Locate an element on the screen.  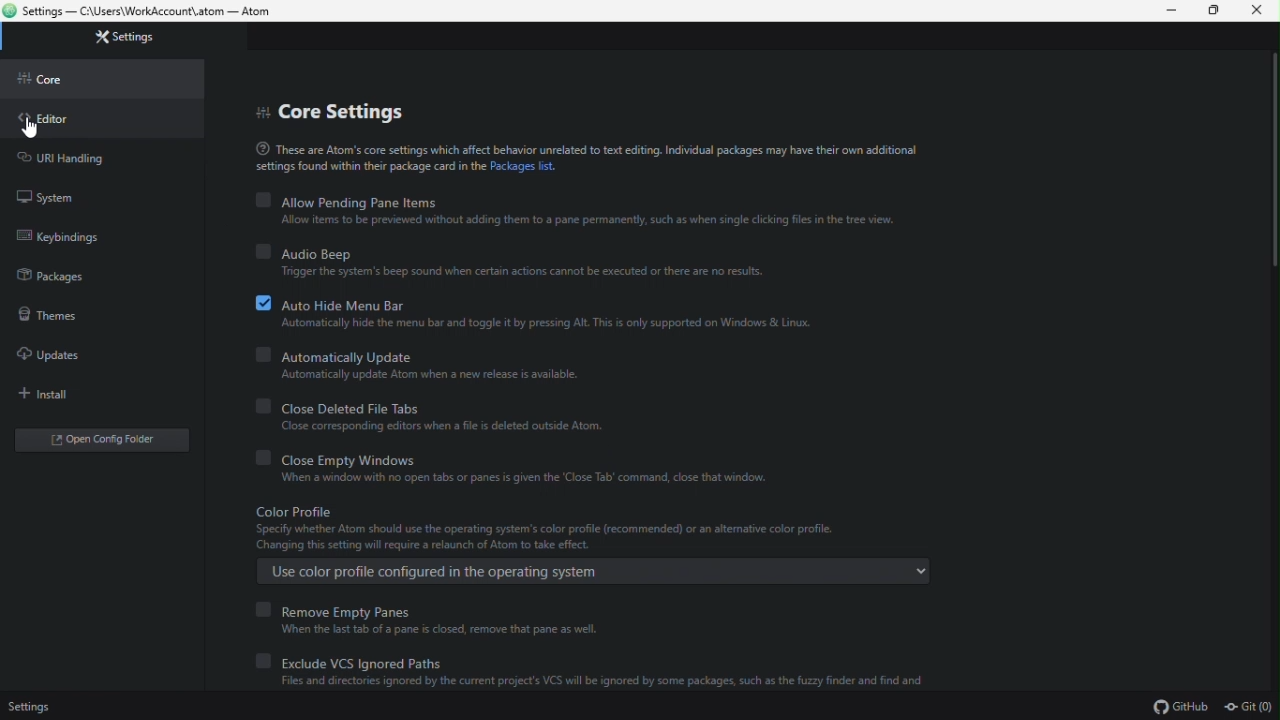
Close is located at coordinates (1262, 15).